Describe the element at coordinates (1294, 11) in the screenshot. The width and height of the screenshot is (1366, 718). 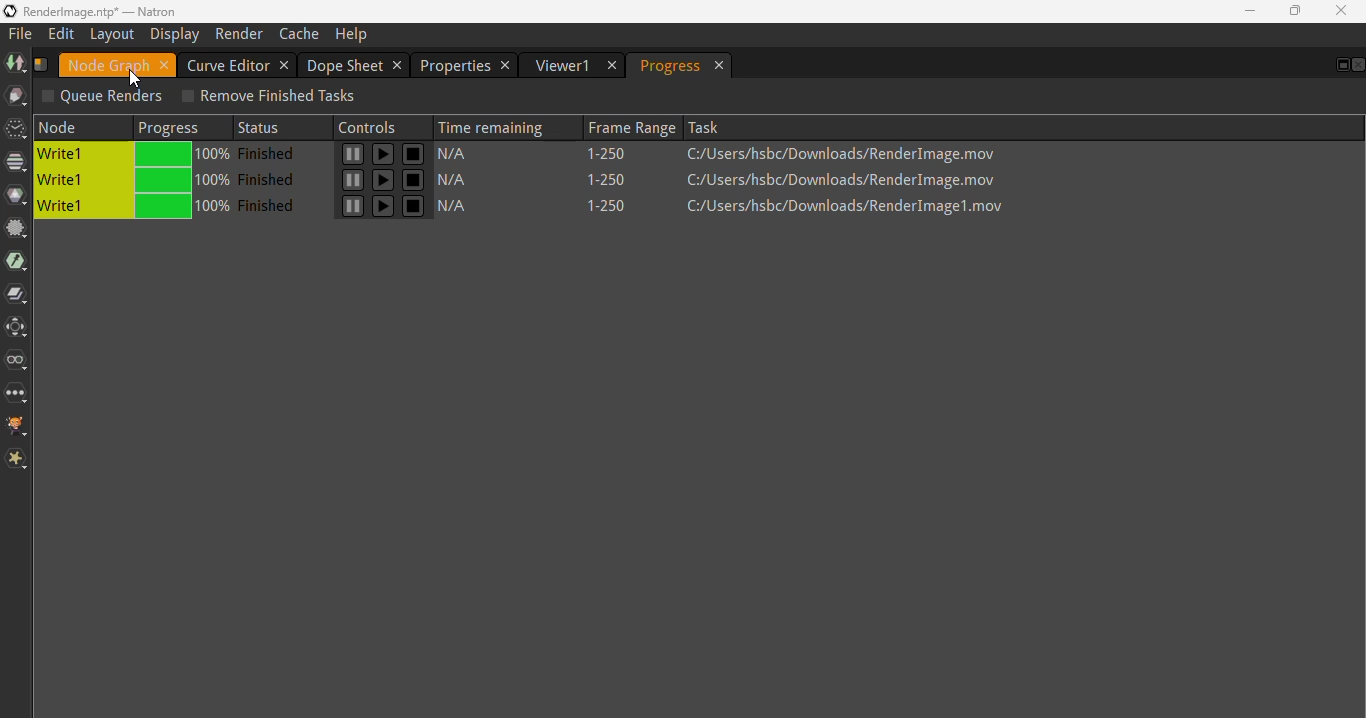
I see `maximize` at that location.